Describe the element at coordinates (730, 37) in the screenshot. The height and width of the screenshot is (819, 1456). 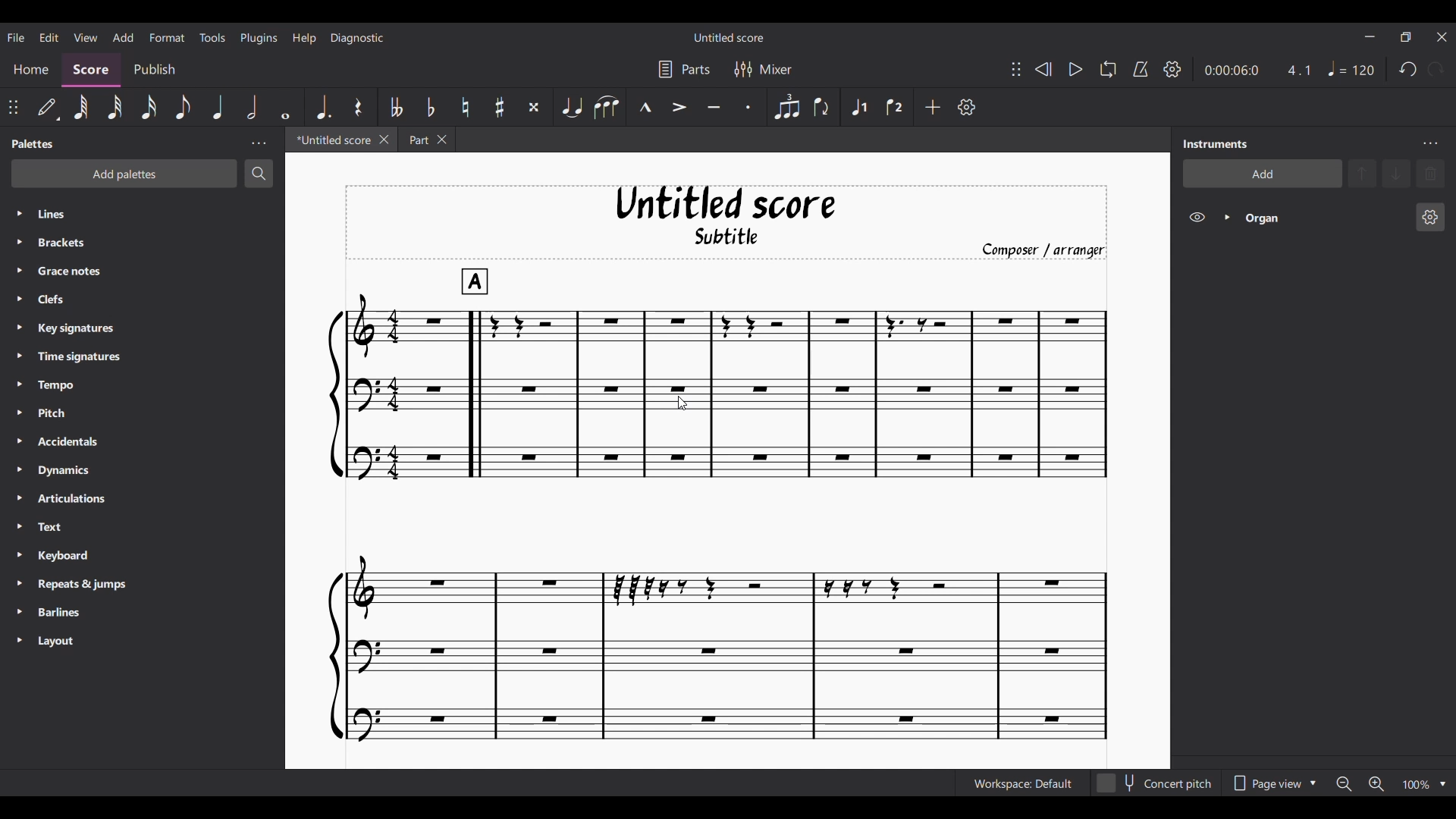
I see `Name of current score` at that location.